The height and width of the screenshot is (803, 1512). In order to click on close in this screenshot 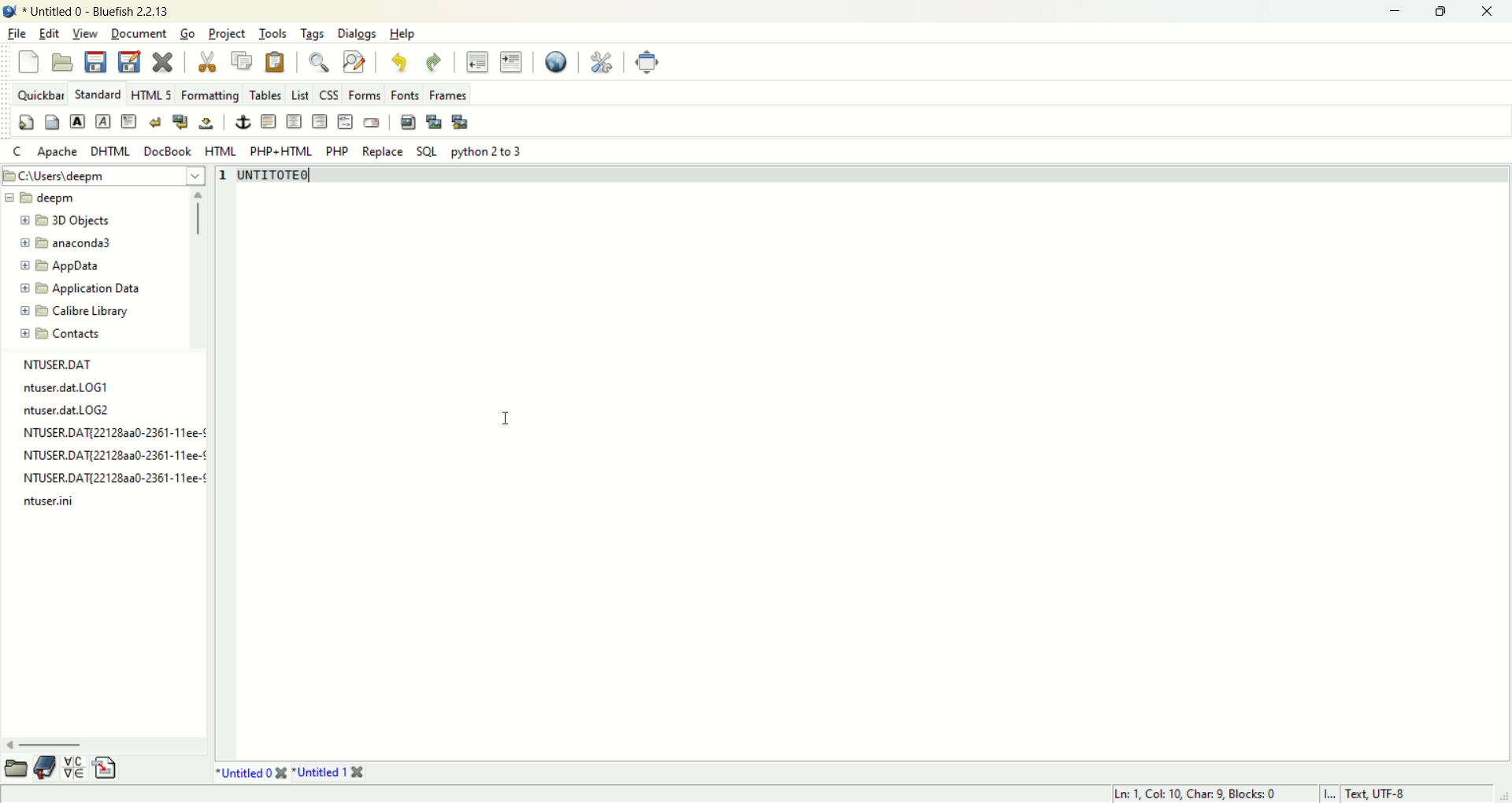, I will do `click(1492, 12)`.